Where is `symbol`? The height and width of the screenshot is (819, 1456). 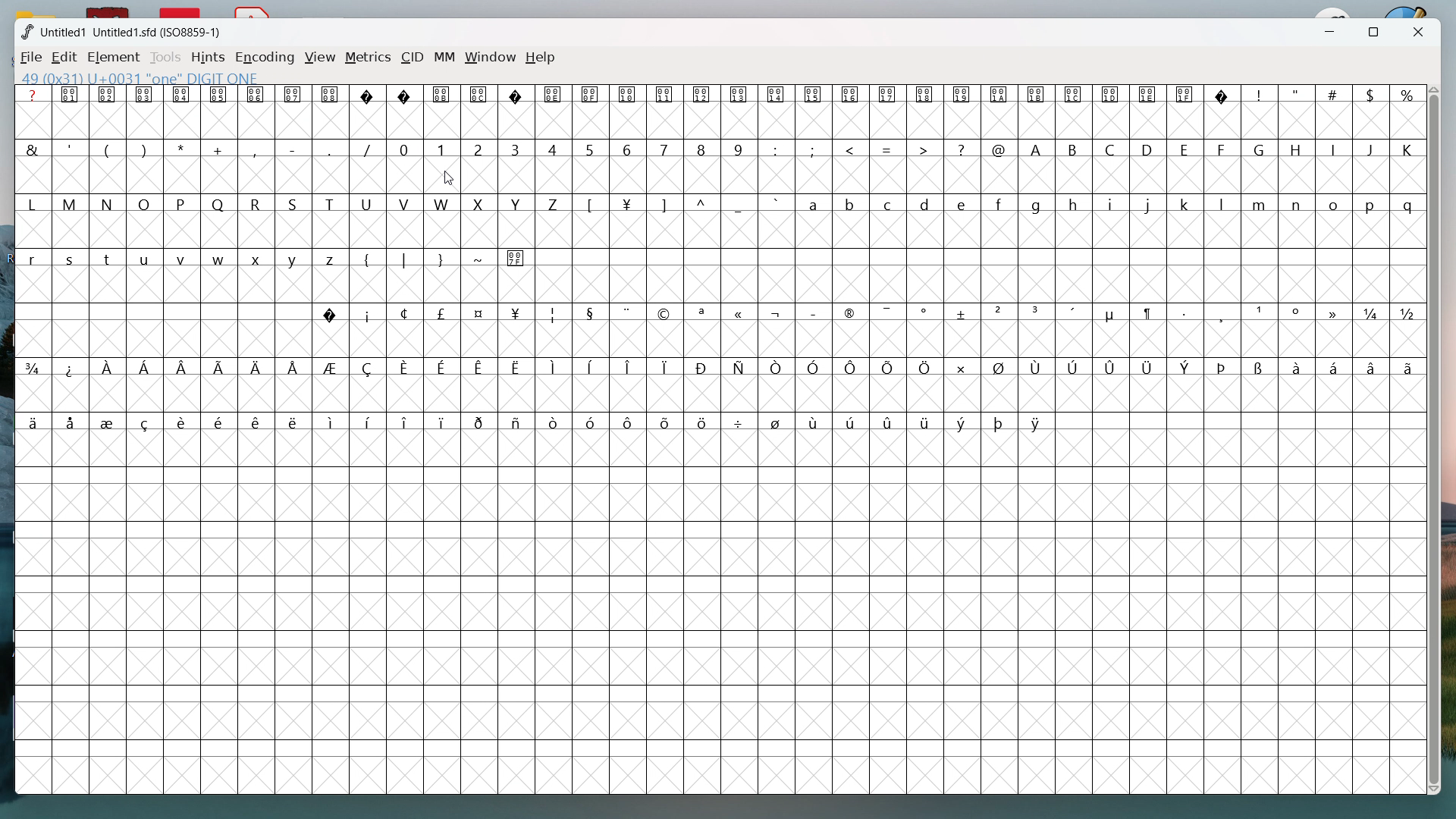 symbol is located at coordinates (108, 368).